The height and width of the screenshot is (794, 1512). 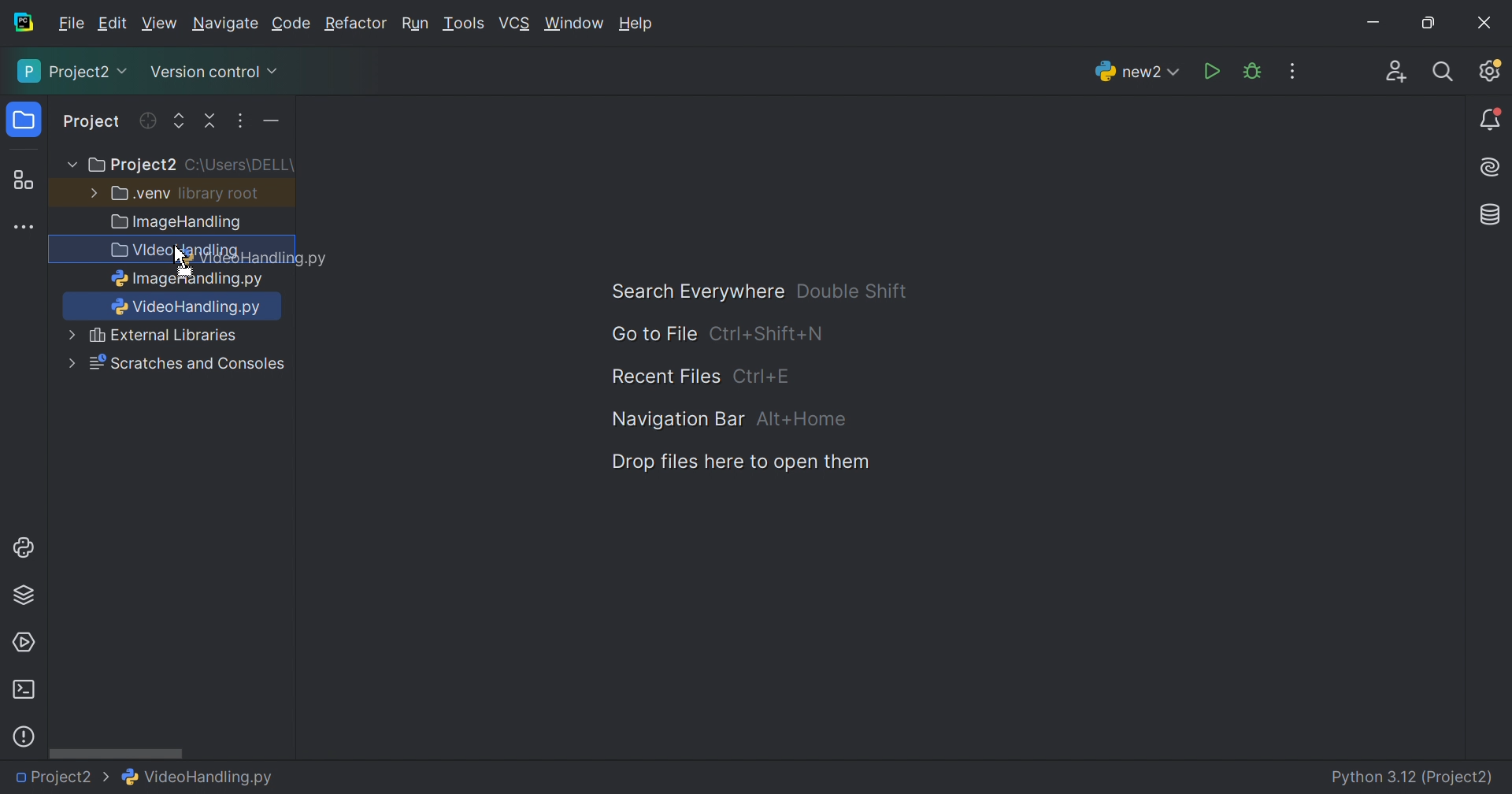 I want to click on Minimize, so click(x=1378, y=25).